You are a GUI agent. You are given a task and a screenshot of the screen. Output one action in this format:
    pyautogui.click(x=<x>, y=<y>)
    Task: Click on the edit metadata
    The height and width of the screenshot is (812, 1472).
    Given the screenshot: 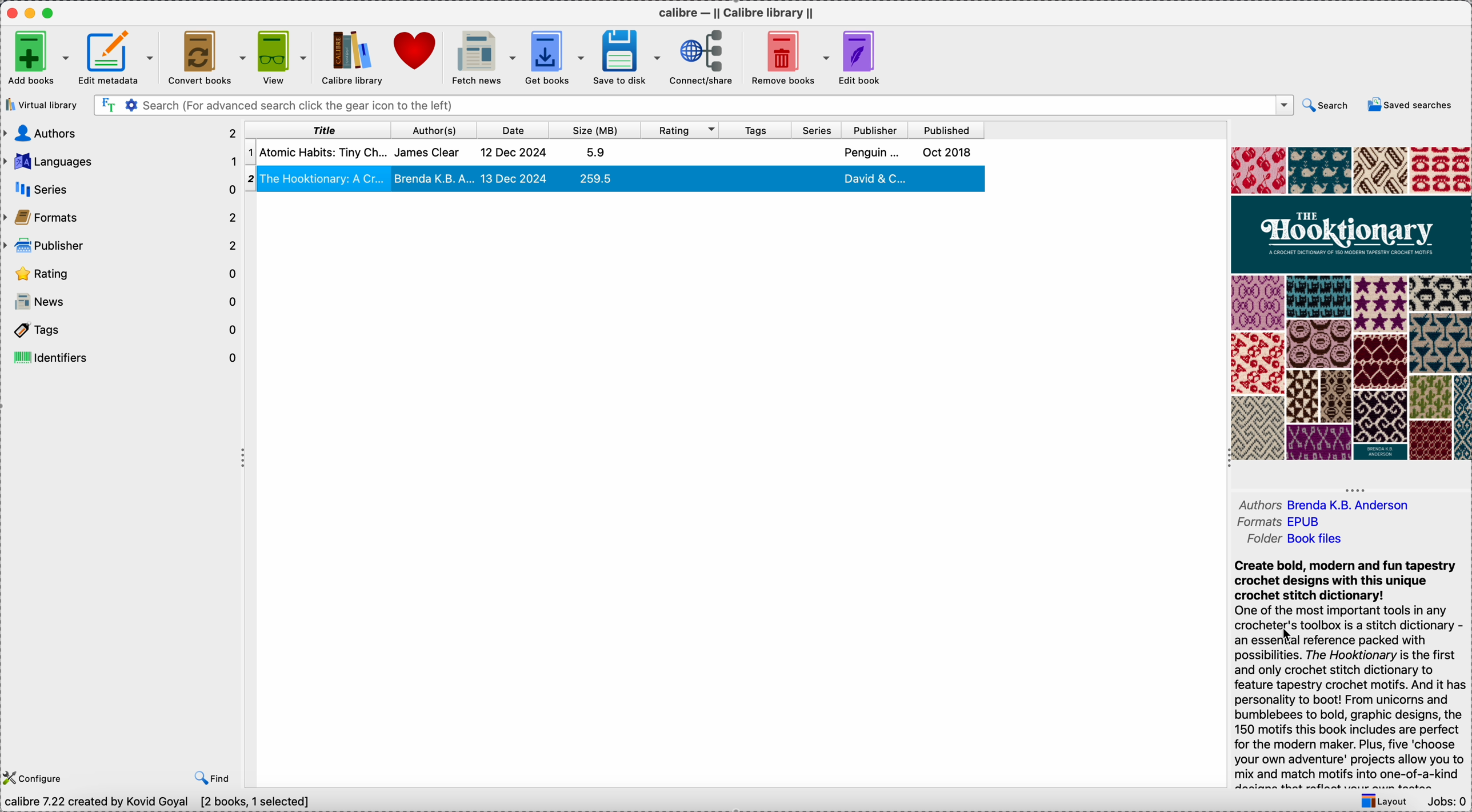 What is the action you would take?
    pyautogui.click(x=121, y=58)
    